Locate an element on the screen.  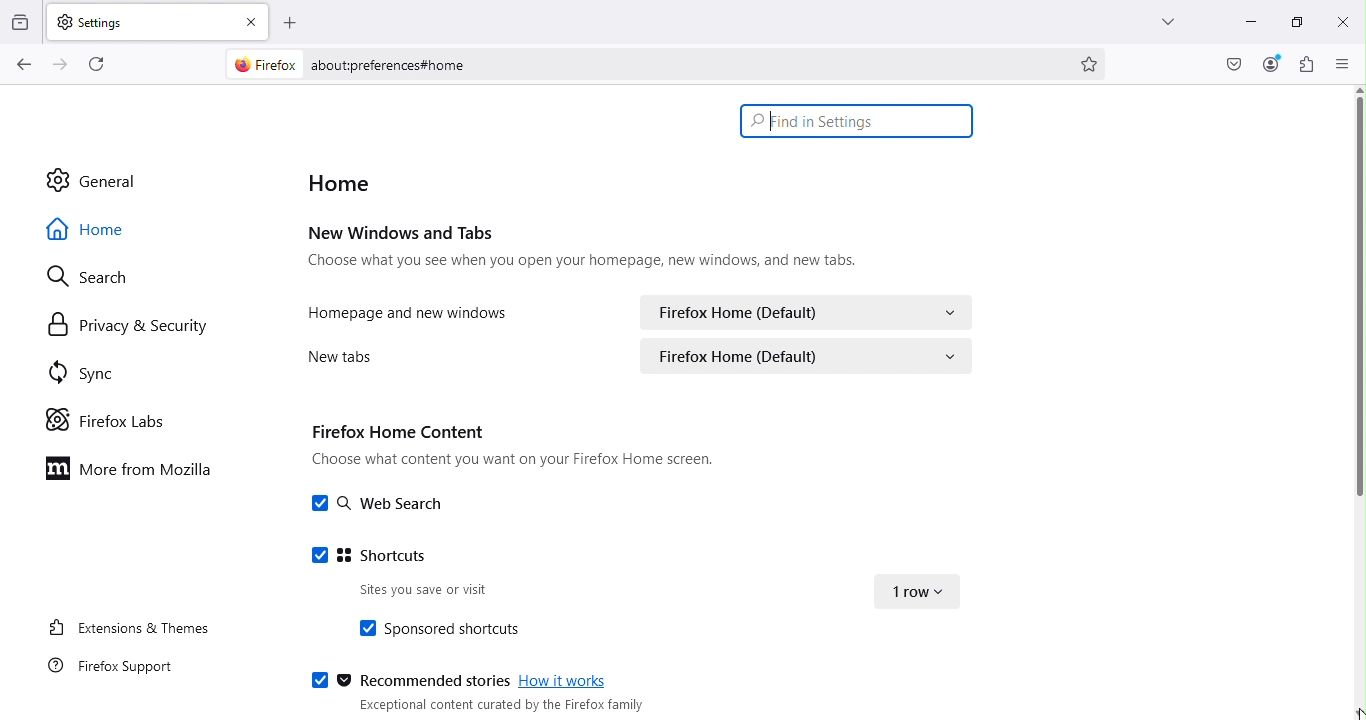
New tabs is located at coordinates (334, 356).